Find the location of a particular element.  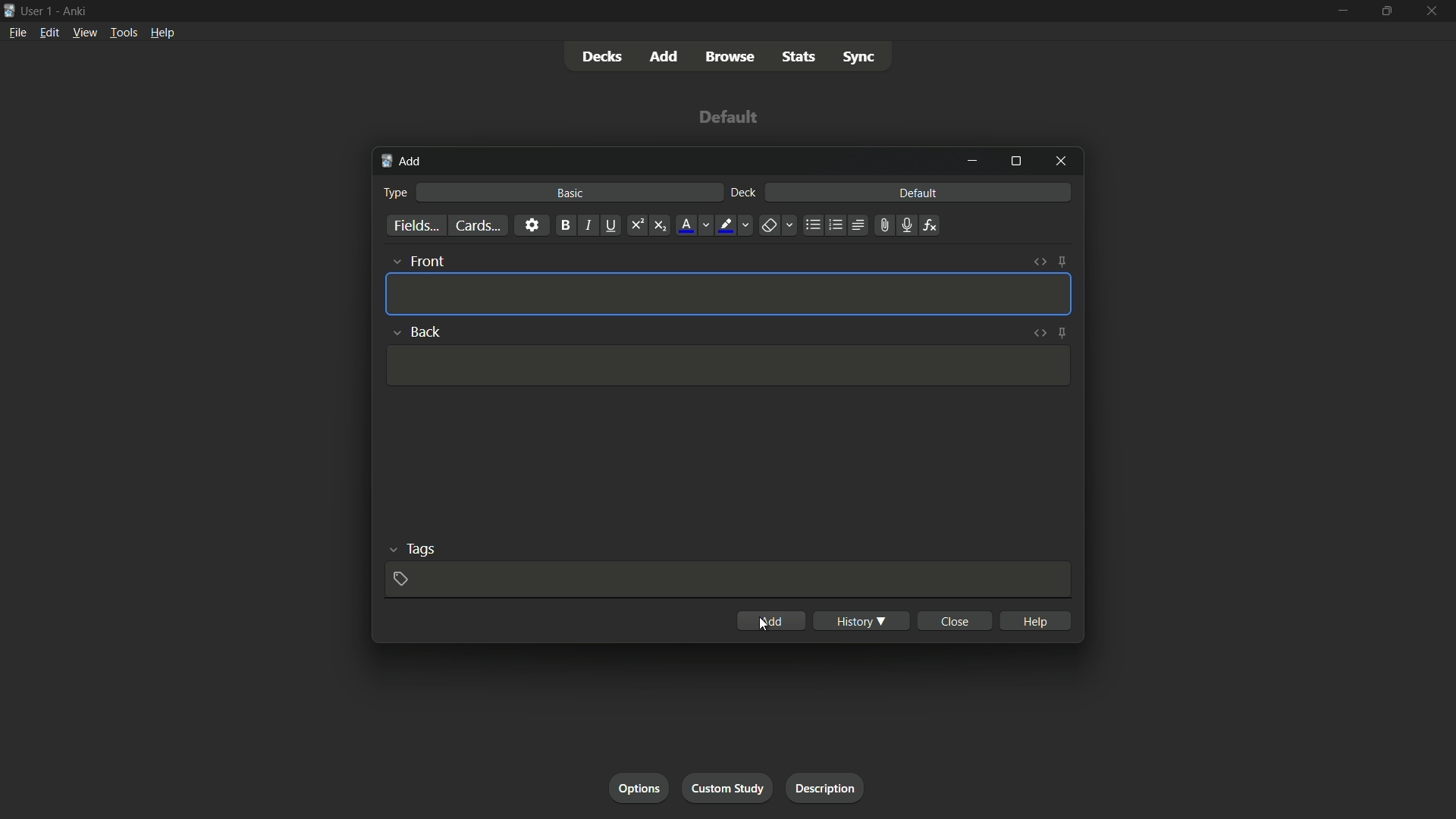

default is located at coordinates (920, 193).